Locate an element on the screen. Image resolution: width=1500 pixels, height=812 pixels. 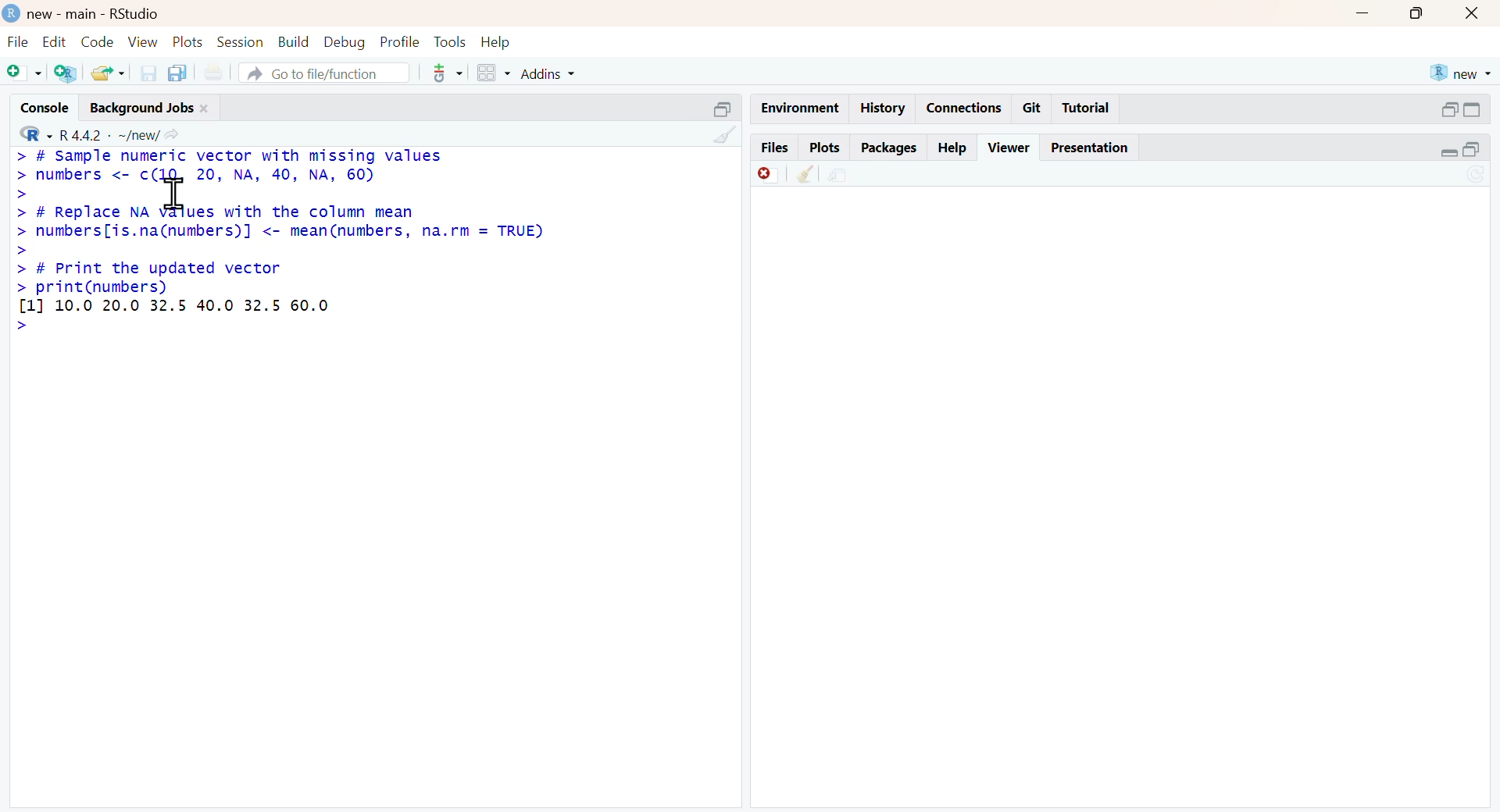
plots is located at coordinates (189, 43).